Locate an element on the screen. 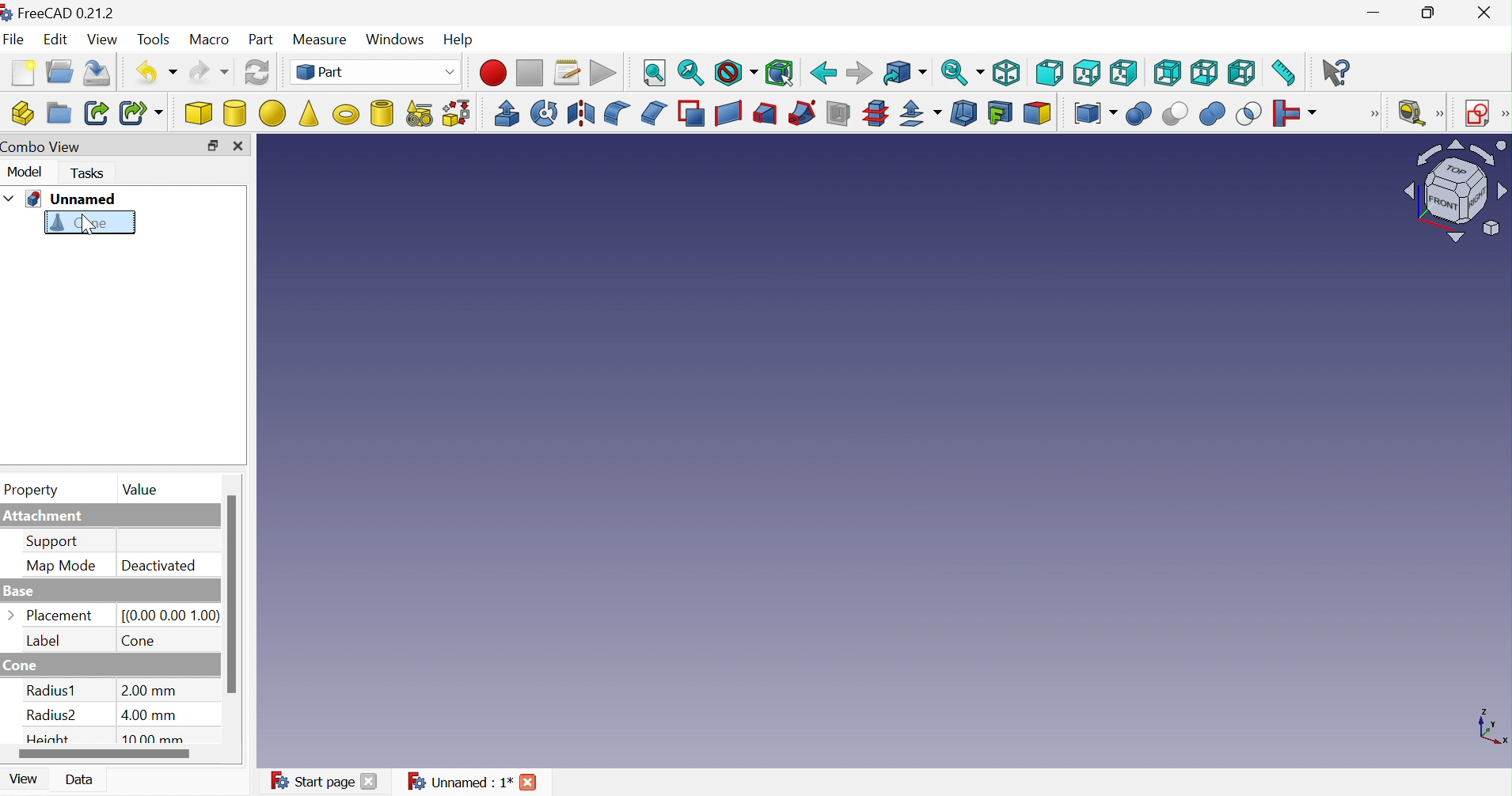  Cone is located at coordinates (140, 642).